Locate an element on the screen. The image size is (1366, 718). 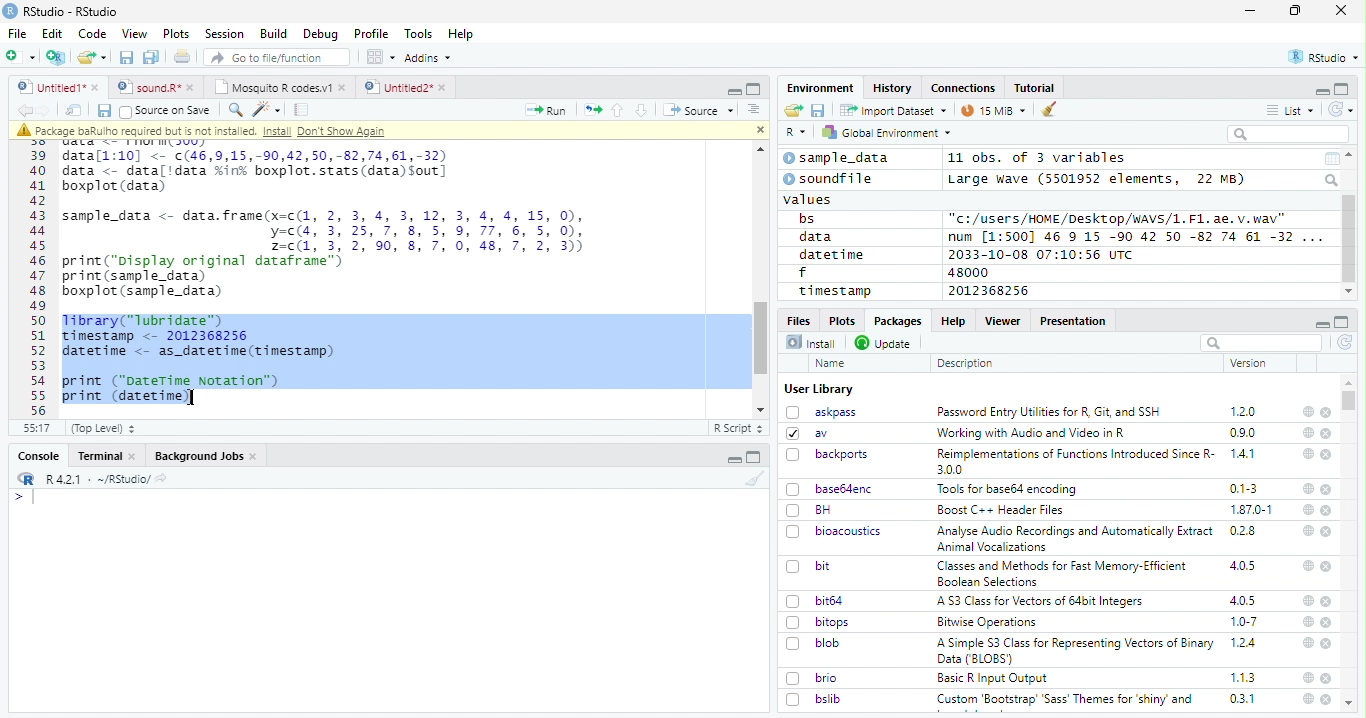
soundfile is located at coordinates (829, 179).